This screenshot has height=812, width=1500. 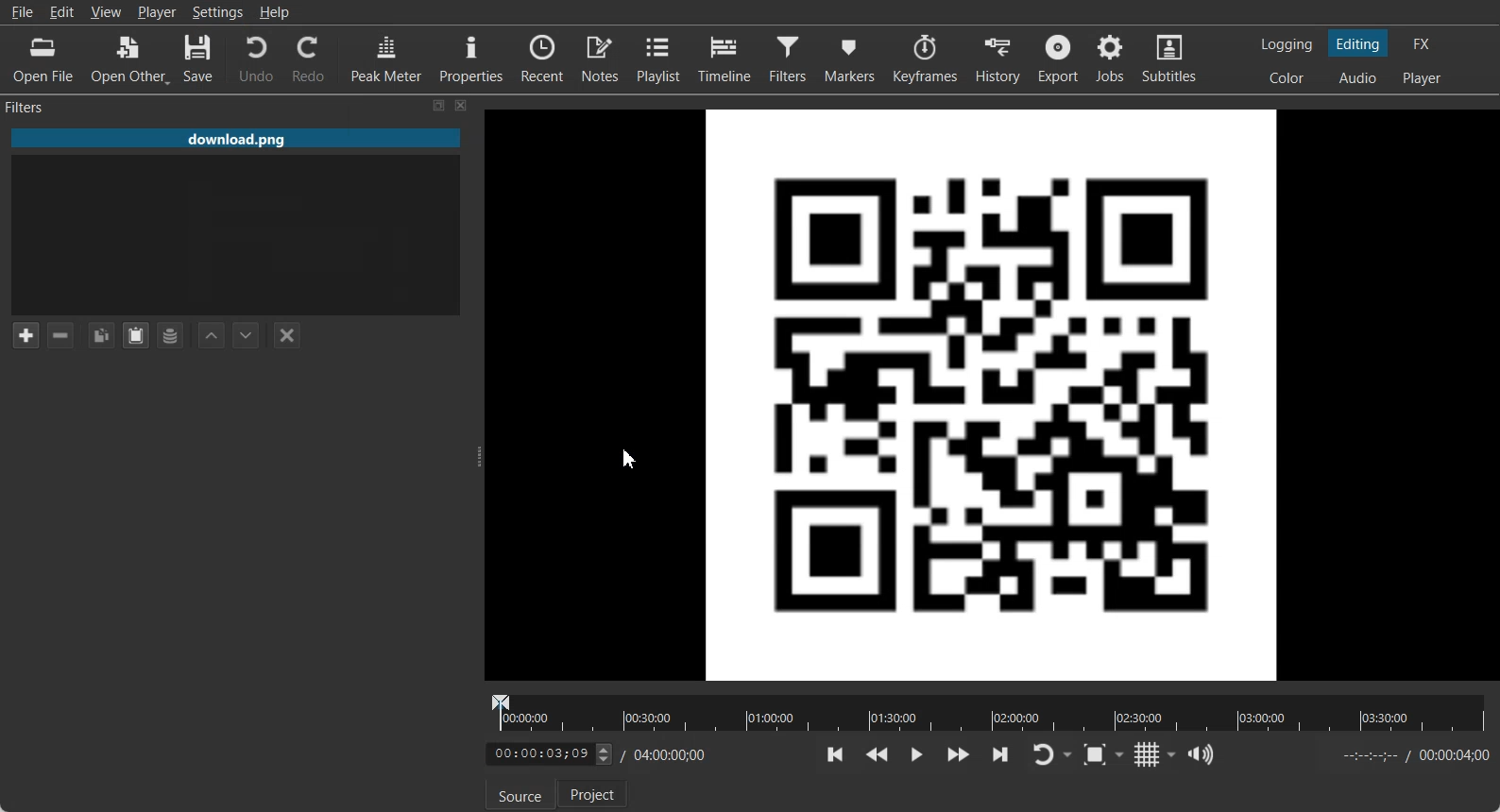 I want to click on Source, so click(x=520, y=794).